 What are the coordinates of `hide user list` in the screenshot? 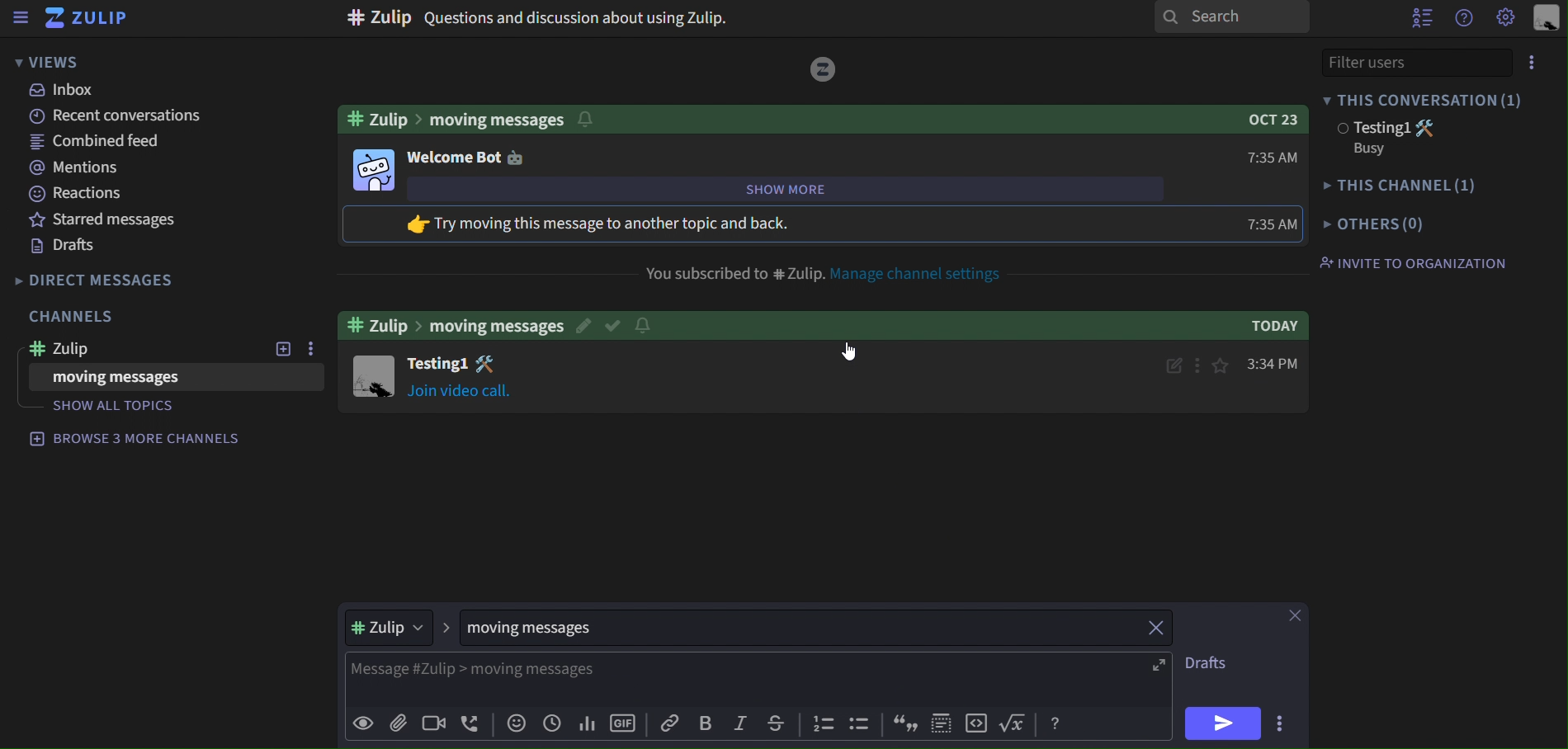 It's located at (1418, 17).